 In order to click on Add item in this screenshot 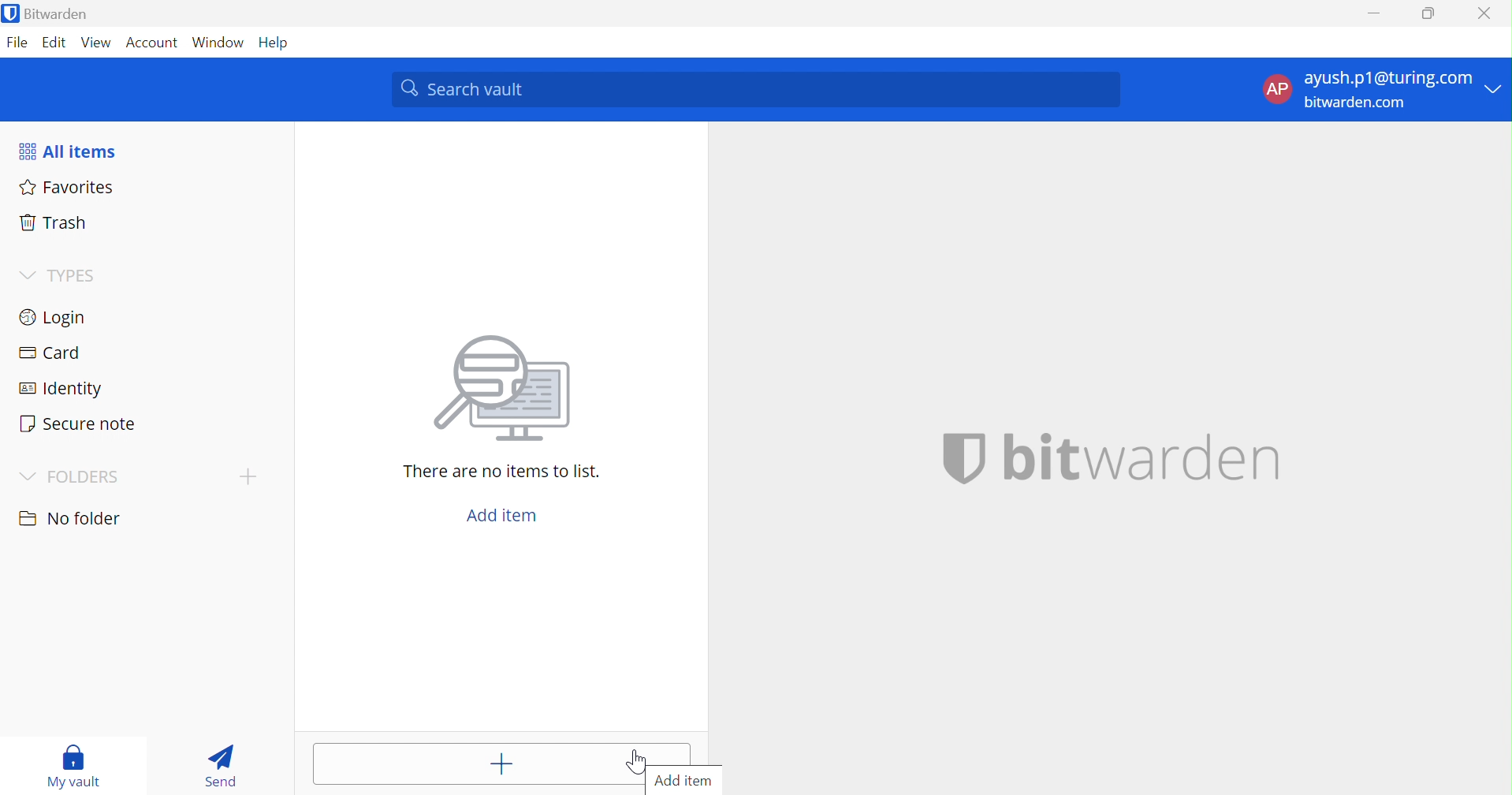, I will do `click(501, 765)`.